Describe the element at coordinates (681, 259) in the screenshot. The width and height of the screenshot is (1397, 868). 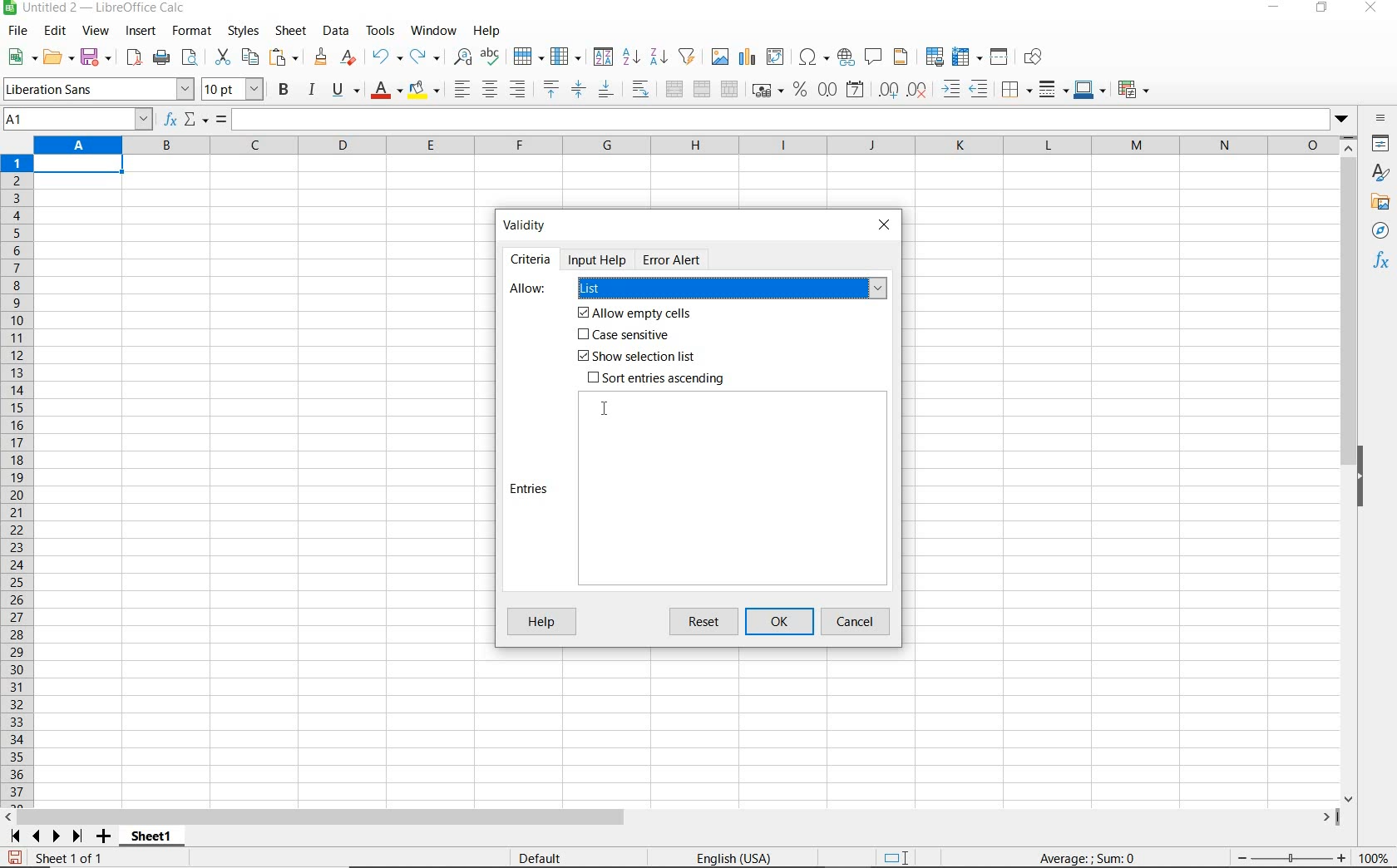
I see `Error Alert` at that location.